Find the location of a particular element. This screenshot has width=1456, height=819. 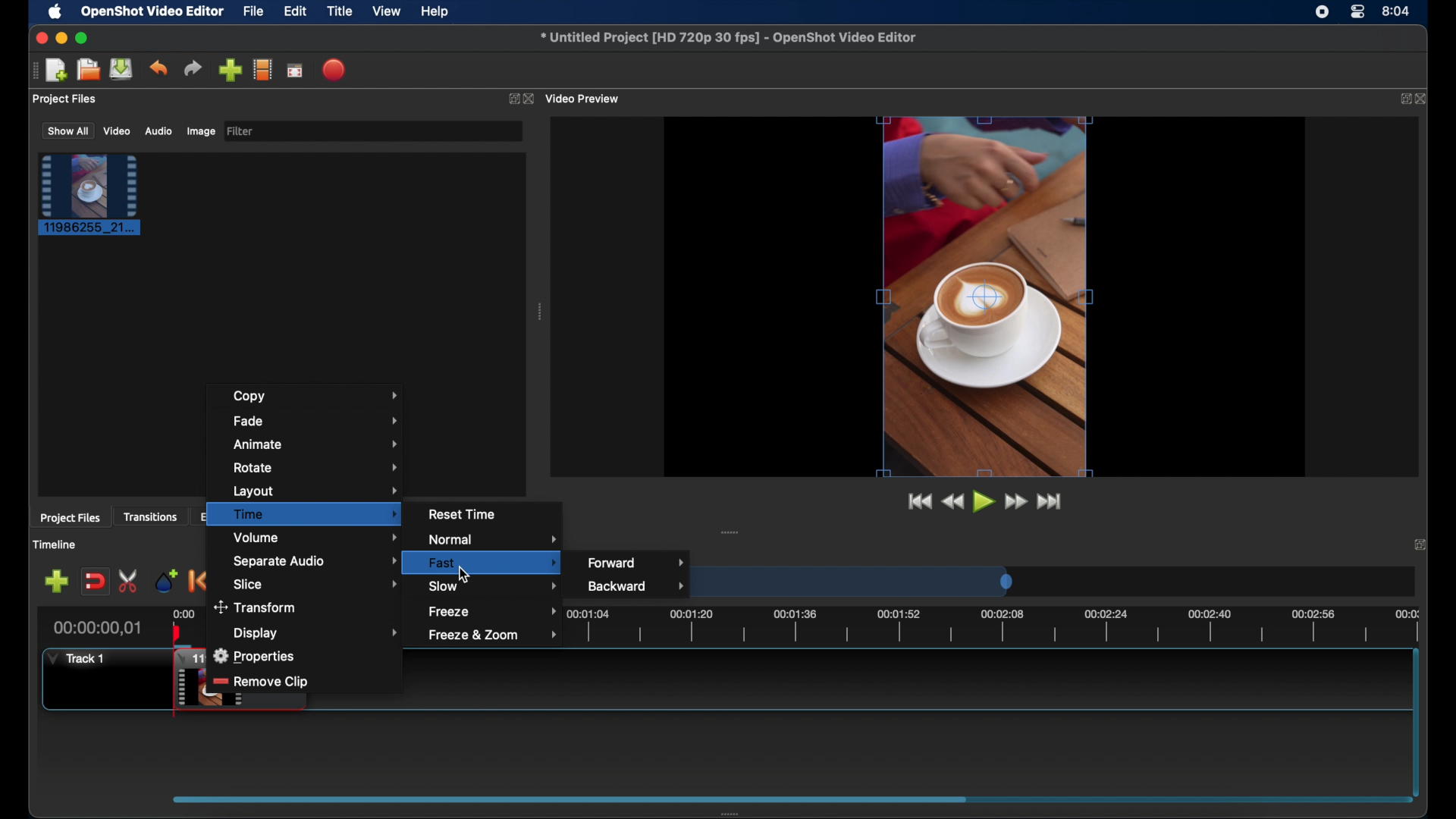

open project is located at coordinates (88, 70).